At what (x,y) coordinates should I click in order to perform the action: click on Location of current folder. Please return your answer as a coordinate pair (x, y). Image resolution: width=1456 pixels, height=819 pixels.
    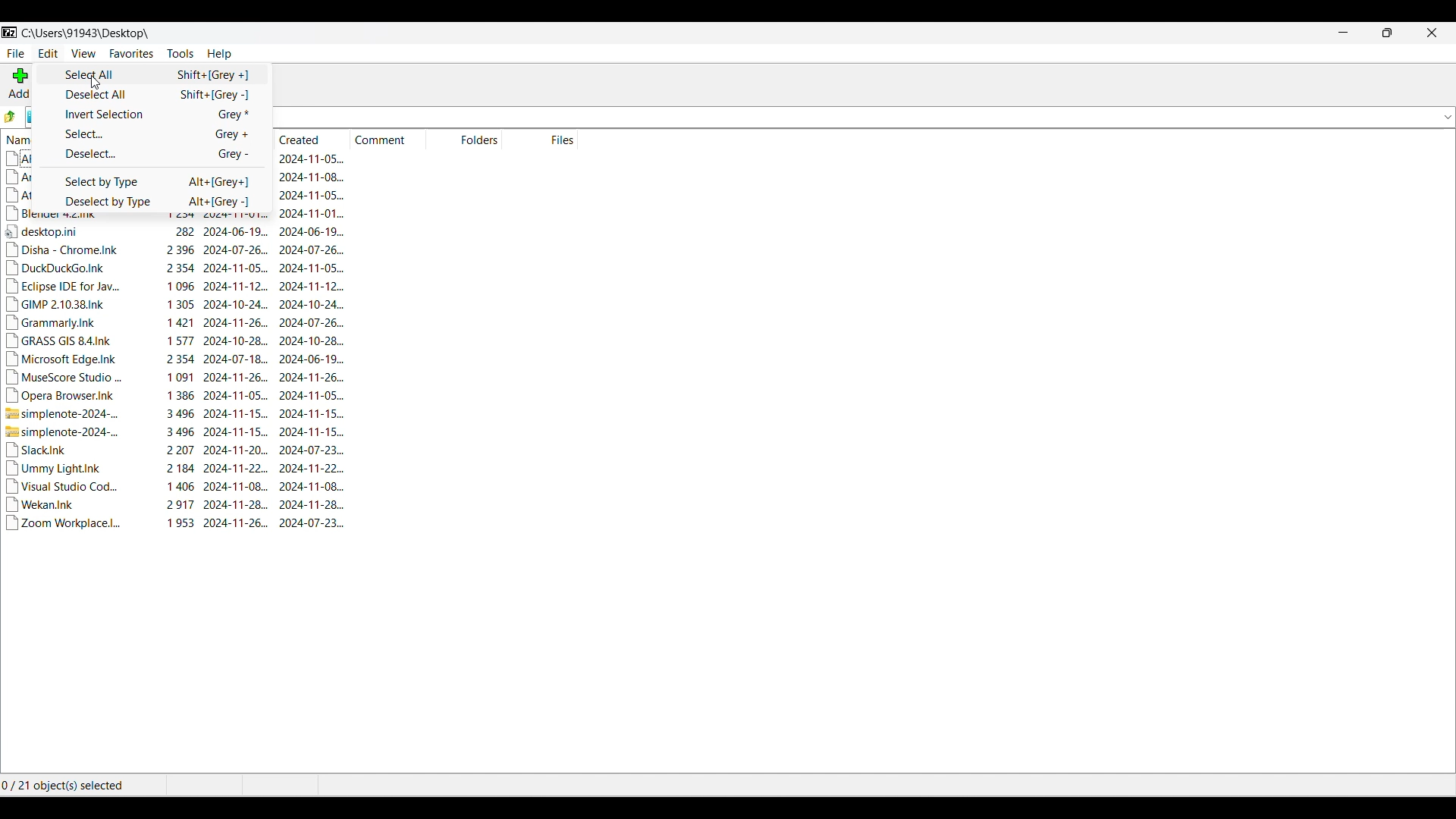
    Looking at the image, I should click on (87, 33).